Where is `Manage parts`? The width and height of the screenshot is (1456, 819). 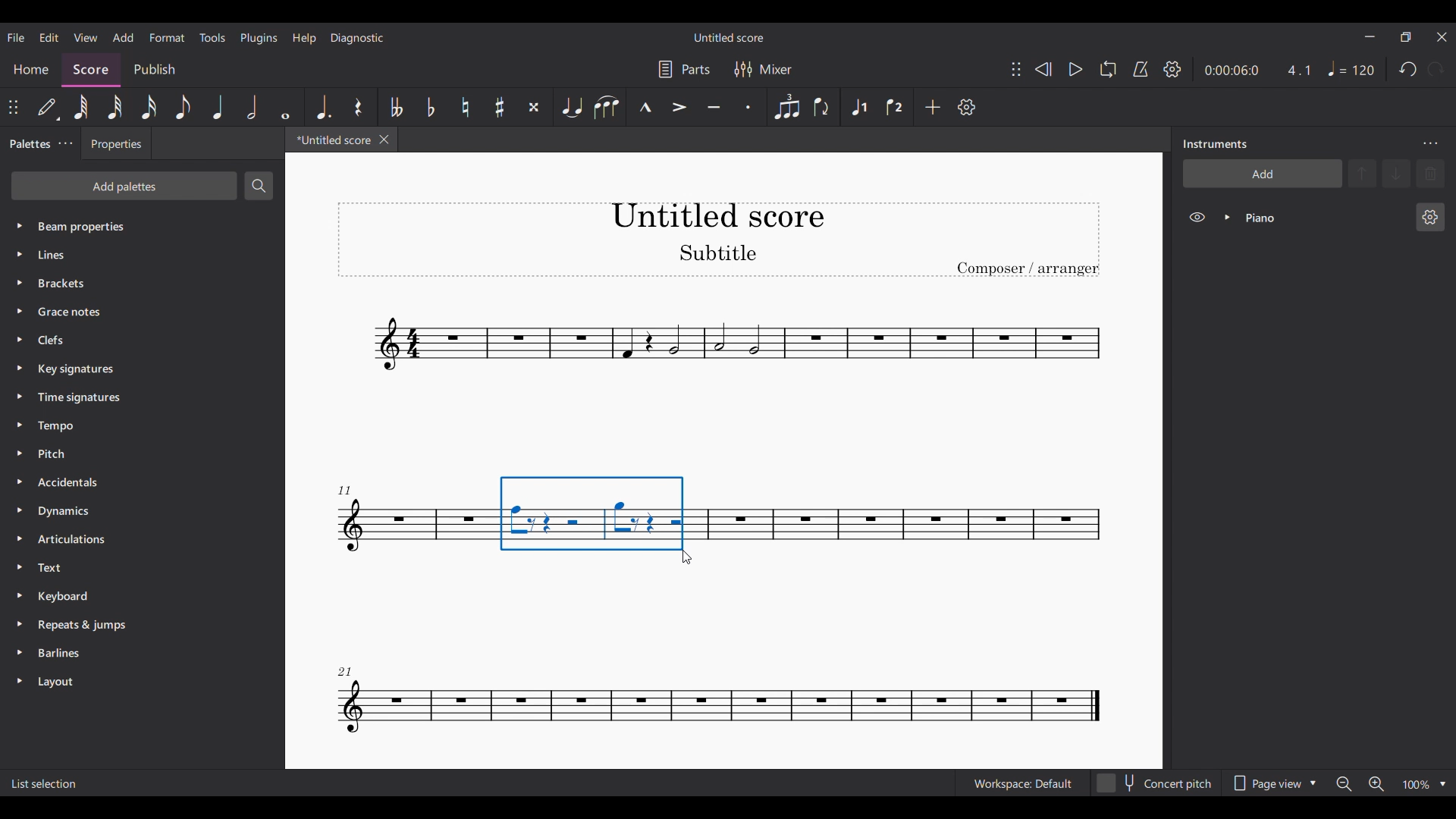
Manage parts is located at coordinates (684, 69).